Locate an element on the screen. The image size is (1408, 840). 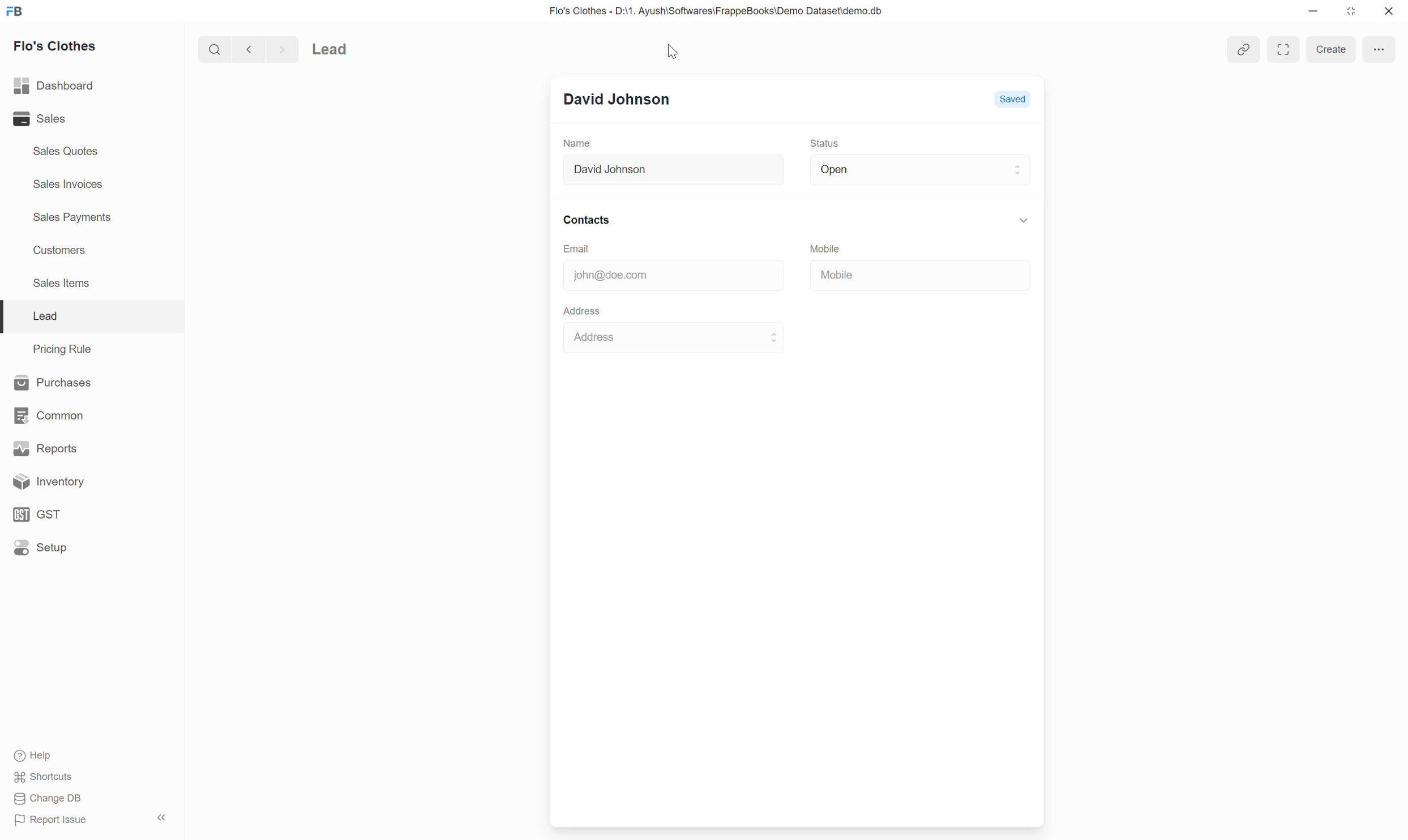
Flo's Clothes - D:\1. Ayush\Softwares\FrappeBooks\Demo Dataset\demo.db is located at coordinates (717, 10).